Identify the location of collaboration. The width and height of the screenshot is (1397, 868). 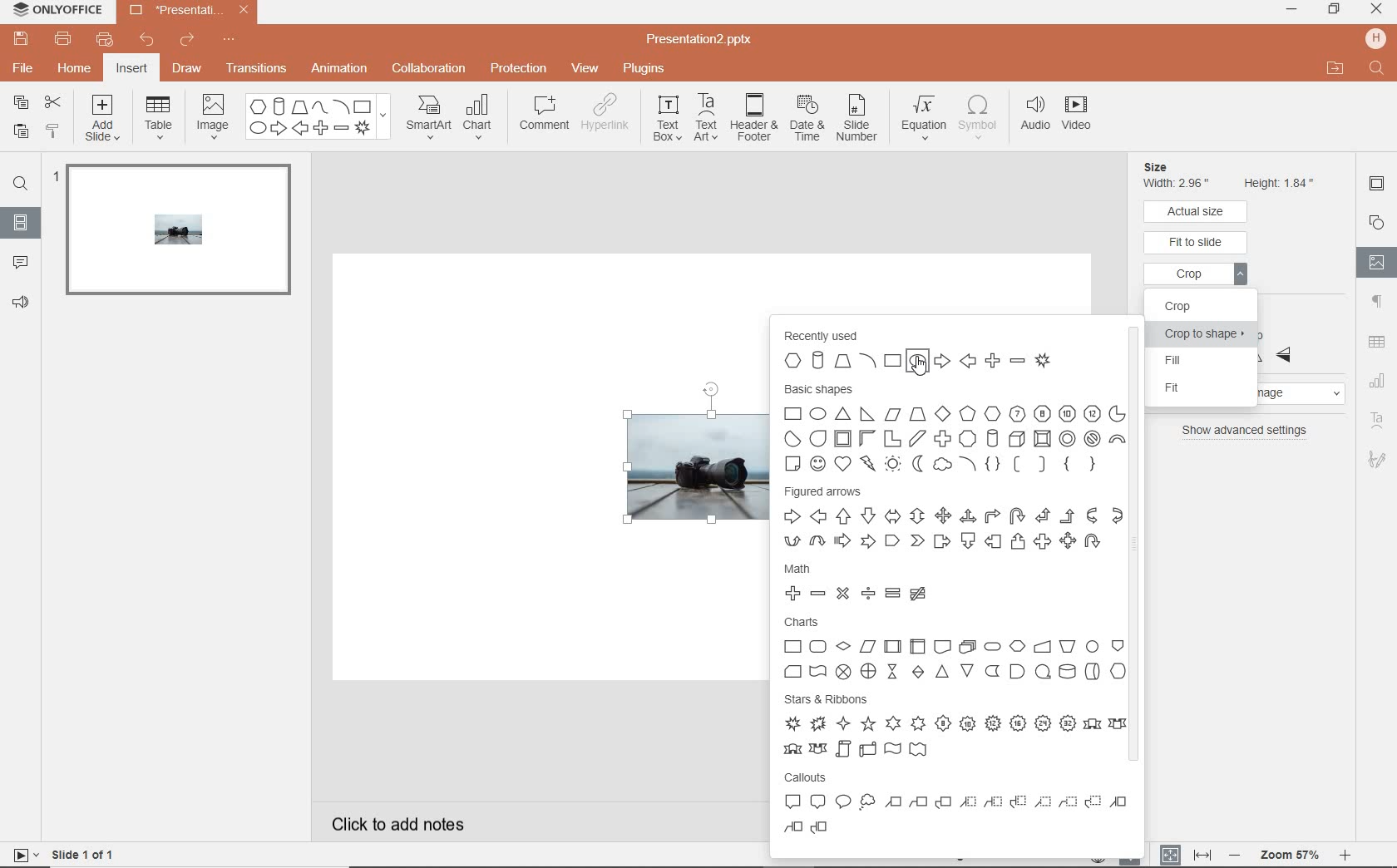
(430, 70).